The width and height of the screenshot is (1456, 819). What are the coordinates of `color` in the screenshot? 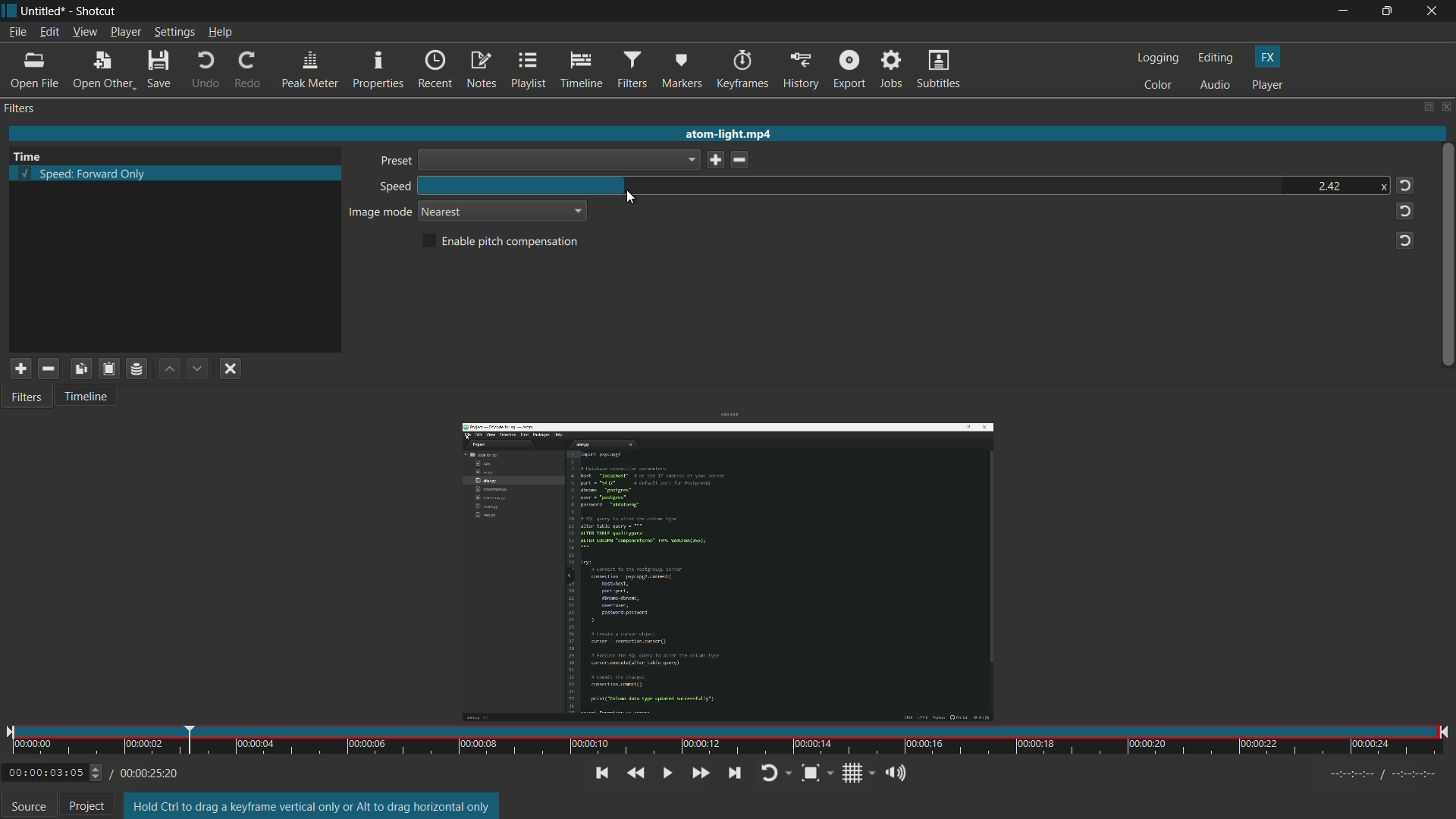 It's located at (1159, 86).